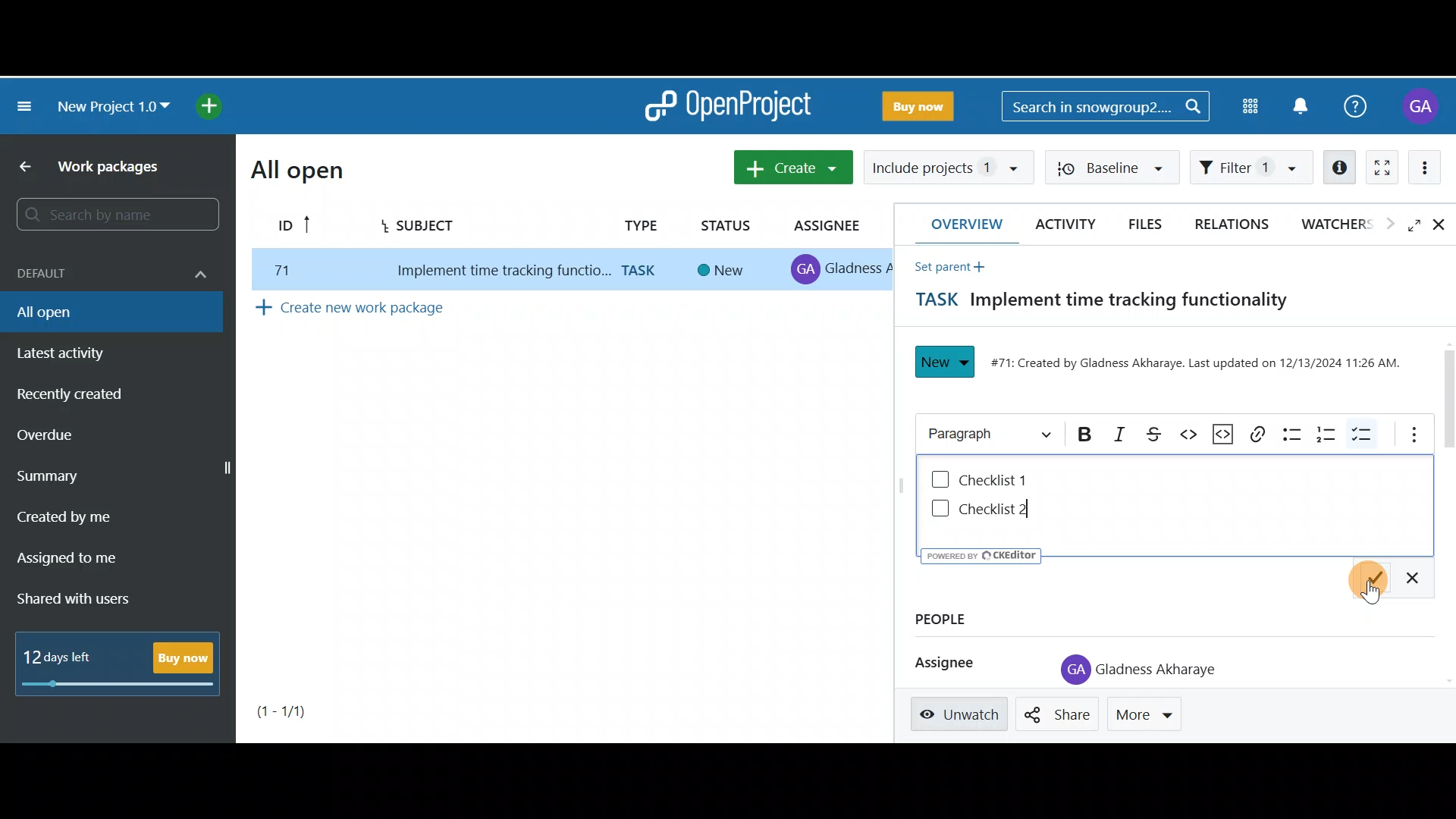 The width and height of the screenshot is (1456, 819). Describe the element at coordinates (905, 108) in the screenshot. I see `Buy now` at that location.